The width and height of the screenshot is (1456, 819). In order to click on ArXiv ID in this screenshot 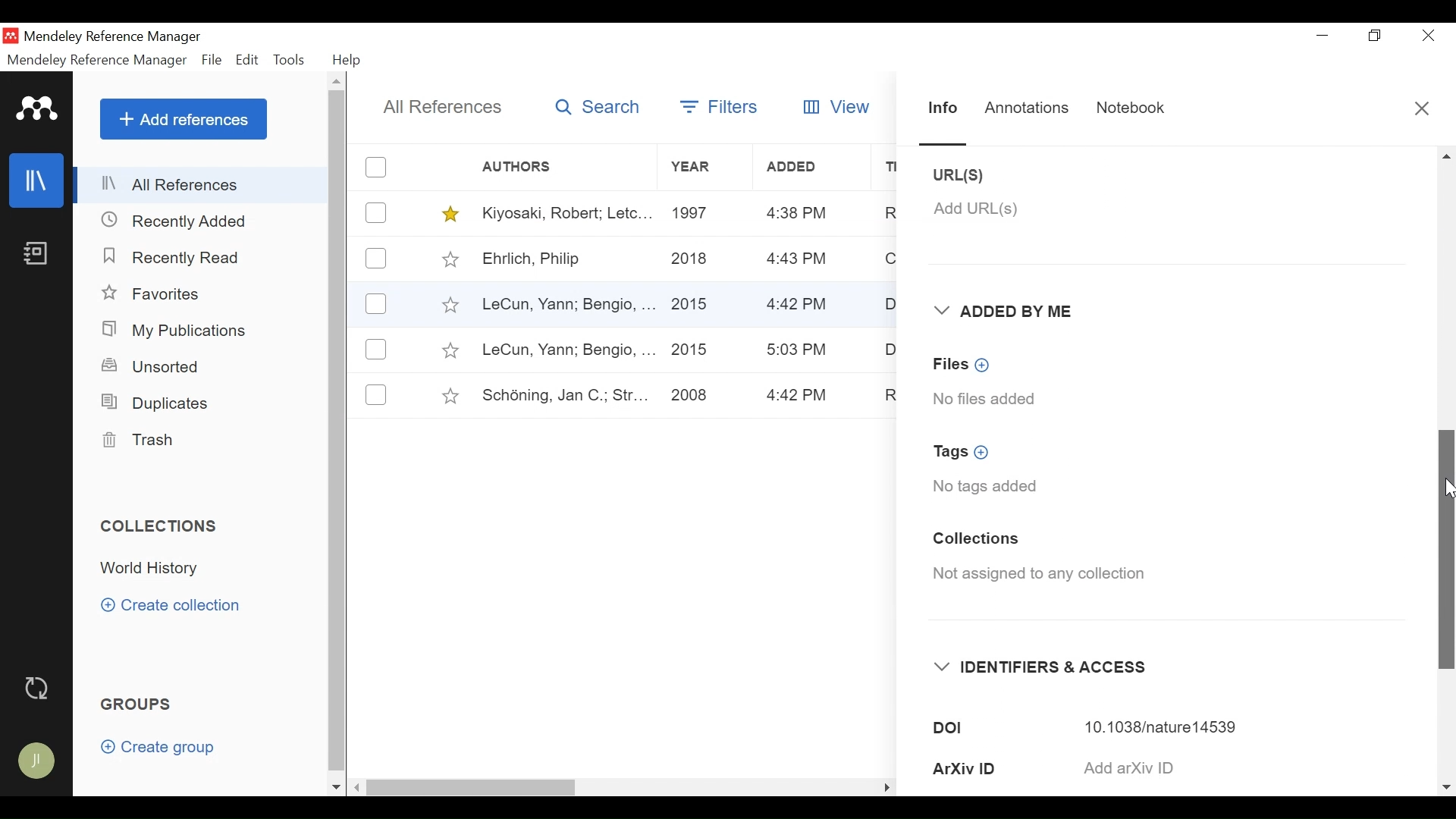, I will do `click(992, 768)`.